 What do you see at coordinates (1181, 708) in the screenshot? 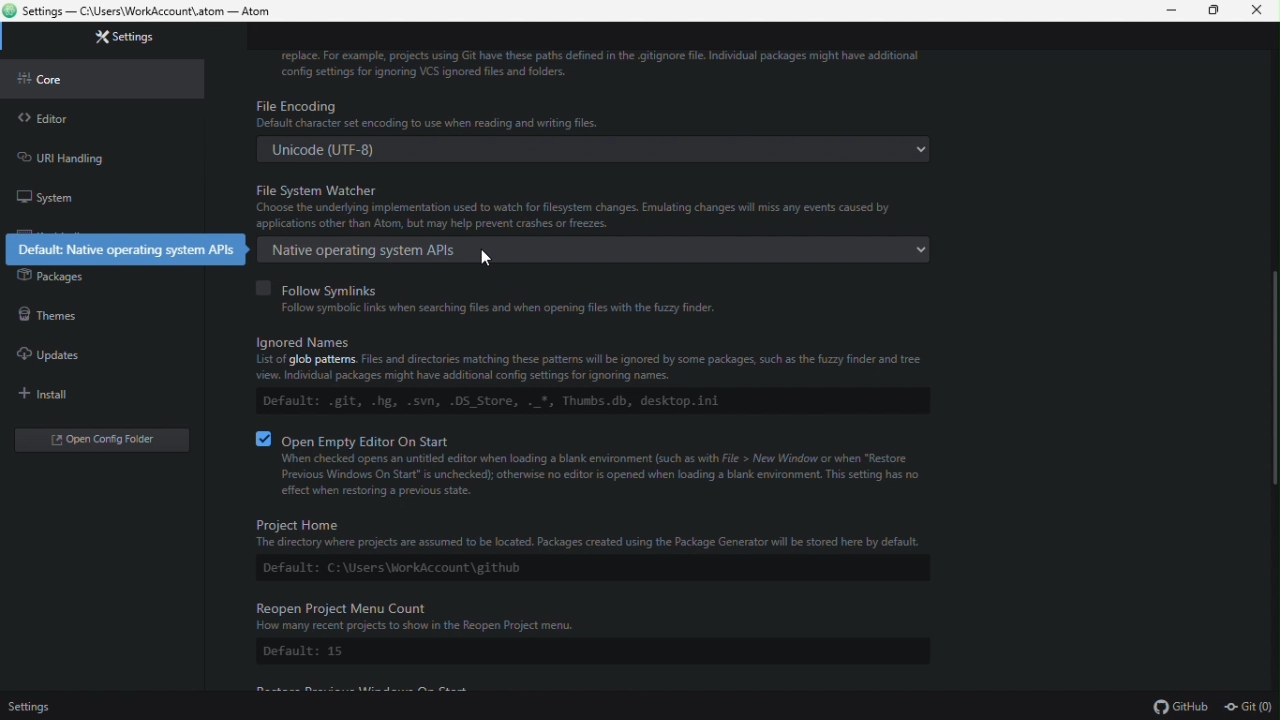
I see `github` at bounding box center [1181, 708].